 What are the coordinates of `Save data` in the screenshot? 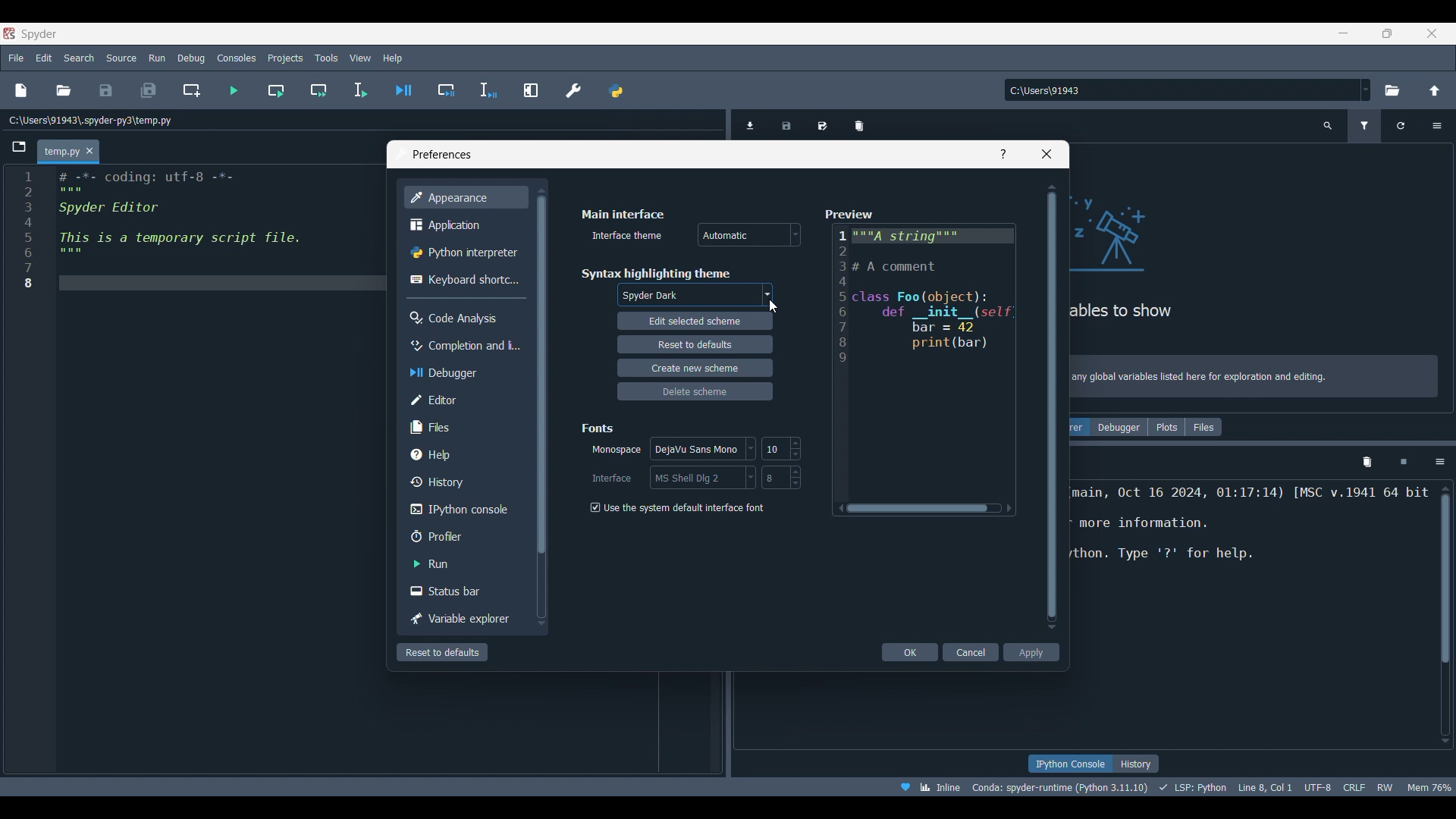 It's located at (788, 121).